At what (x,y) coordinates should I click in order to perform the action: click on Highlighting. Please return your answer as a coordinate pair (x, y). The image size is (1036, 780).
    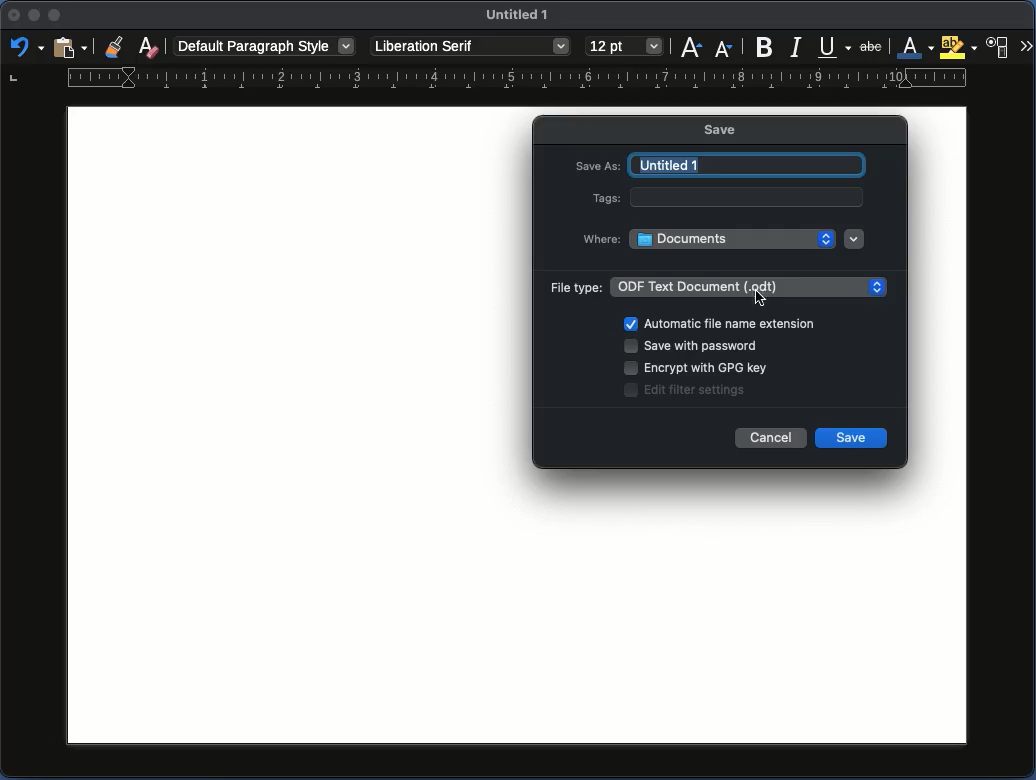
    Looking at the image, I should click on (960, 47).